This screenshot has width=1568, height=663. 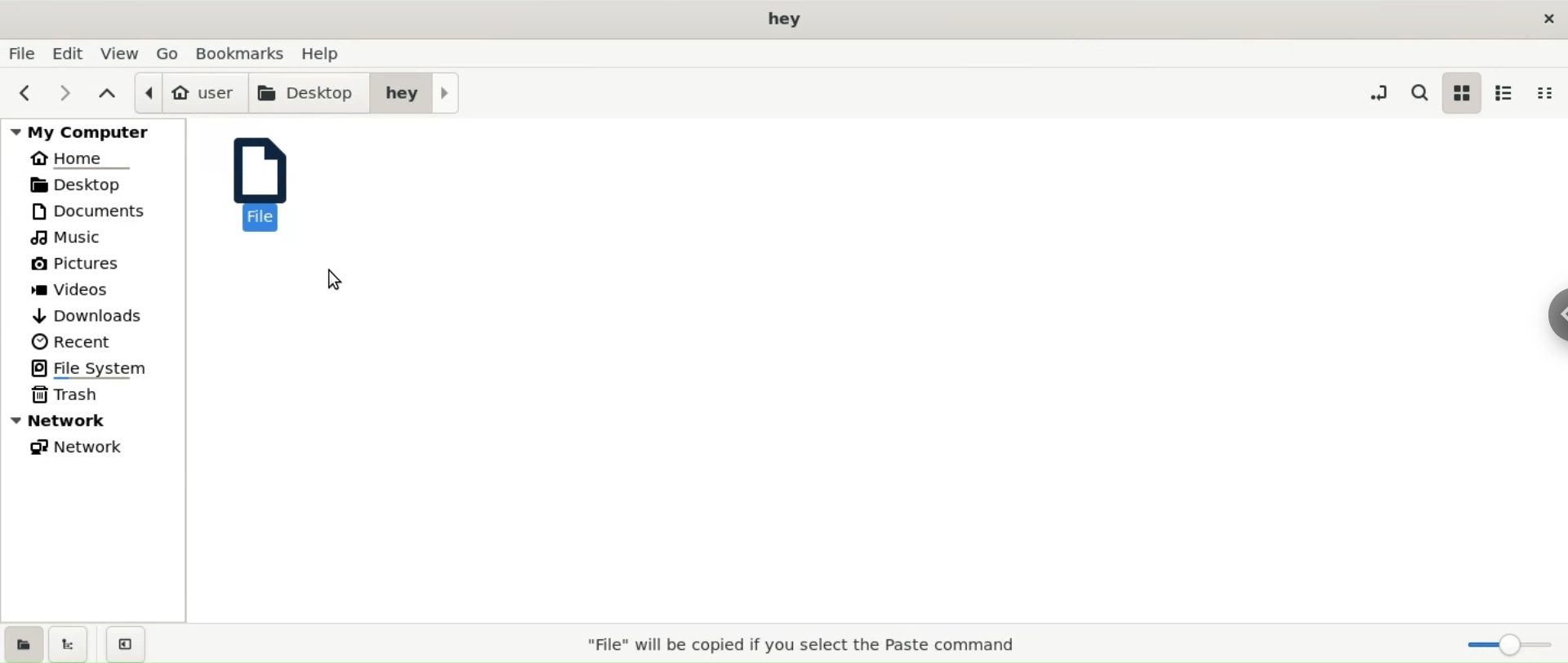 I want to click on previous, so click(x=24, y=93).